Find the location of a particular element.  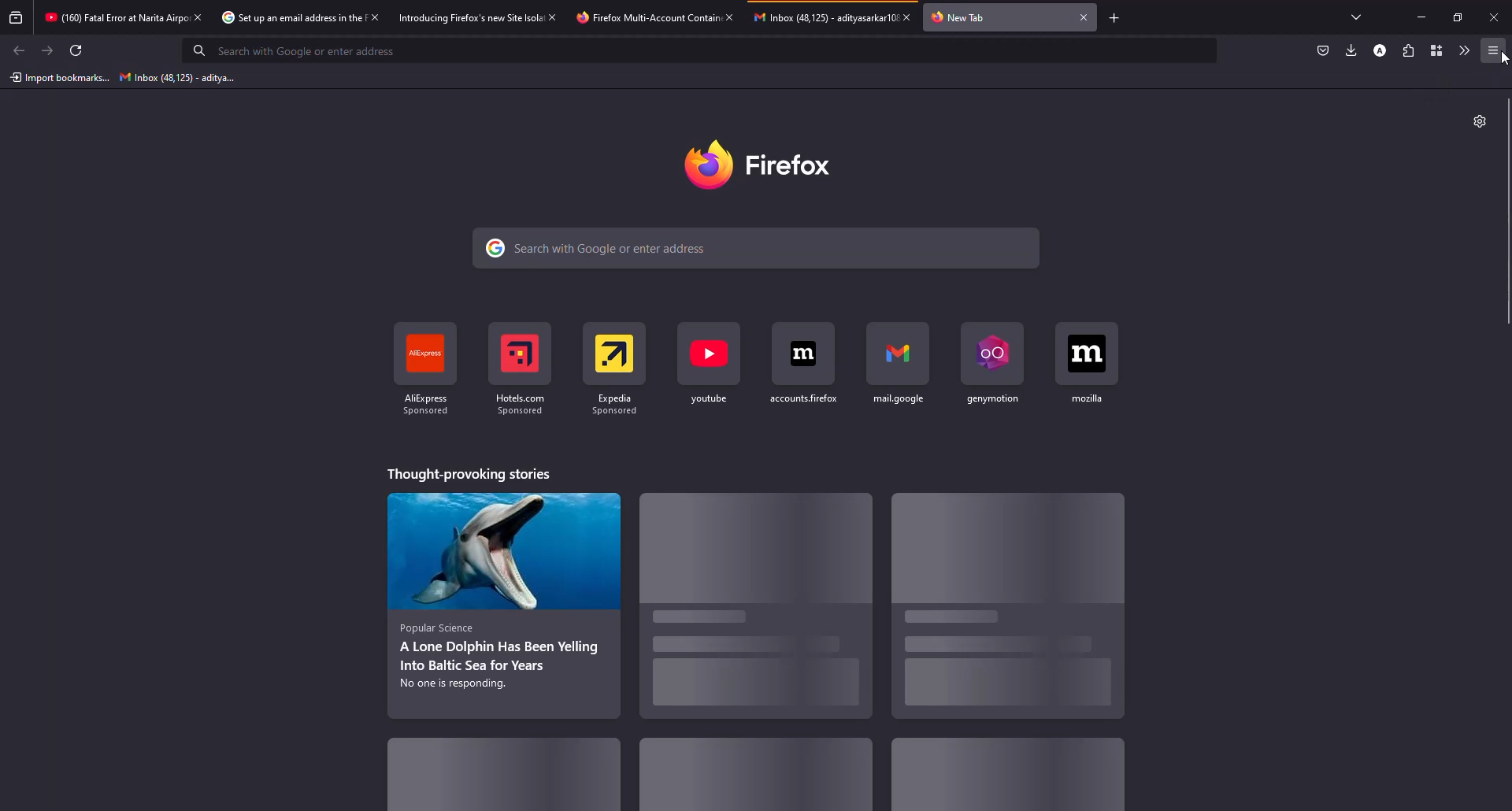

import bookmarks is located at coordinates (59, 78).